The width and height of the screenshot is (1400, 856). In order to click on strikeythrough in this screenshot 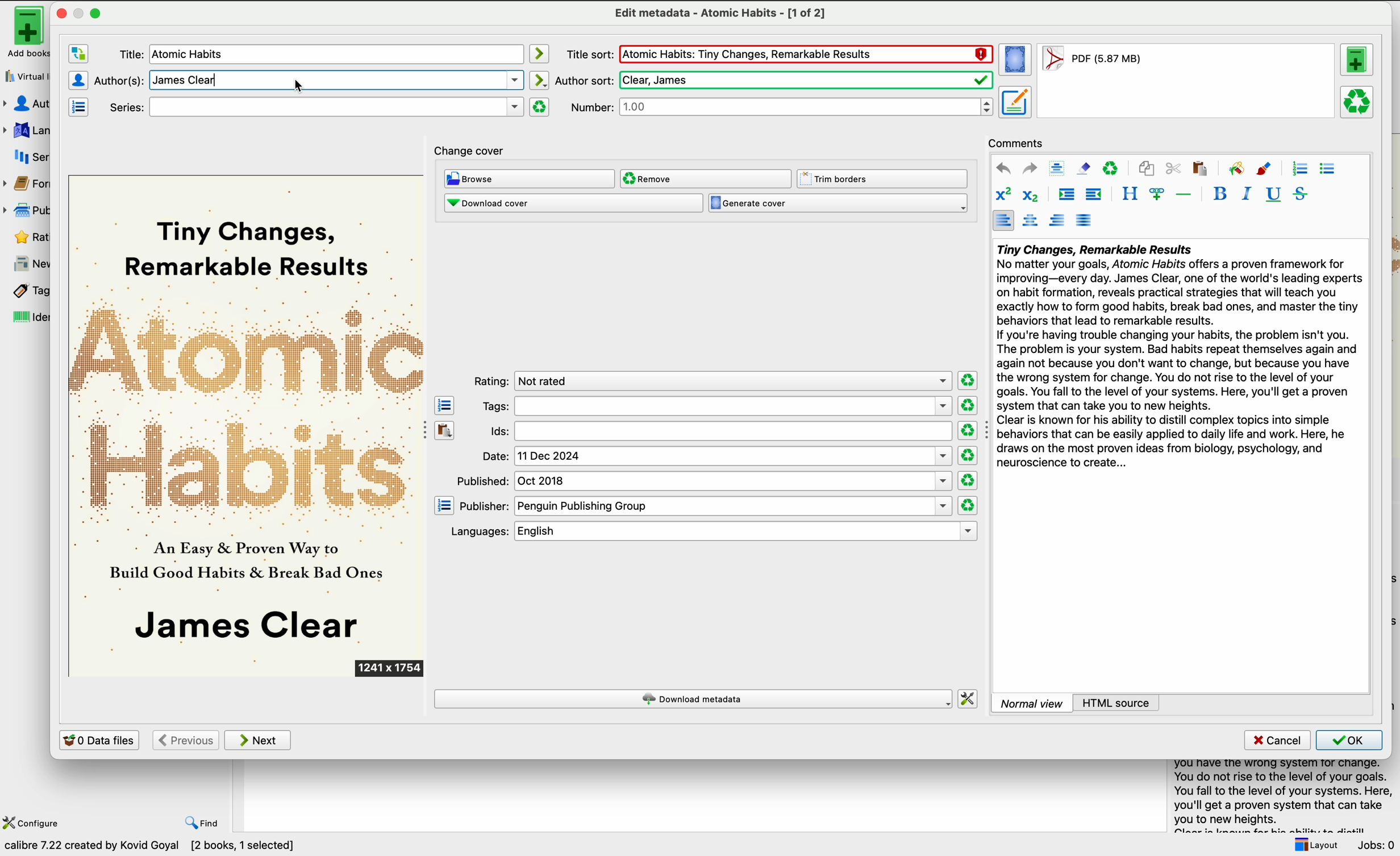, I will do `click(1301, 194)`.